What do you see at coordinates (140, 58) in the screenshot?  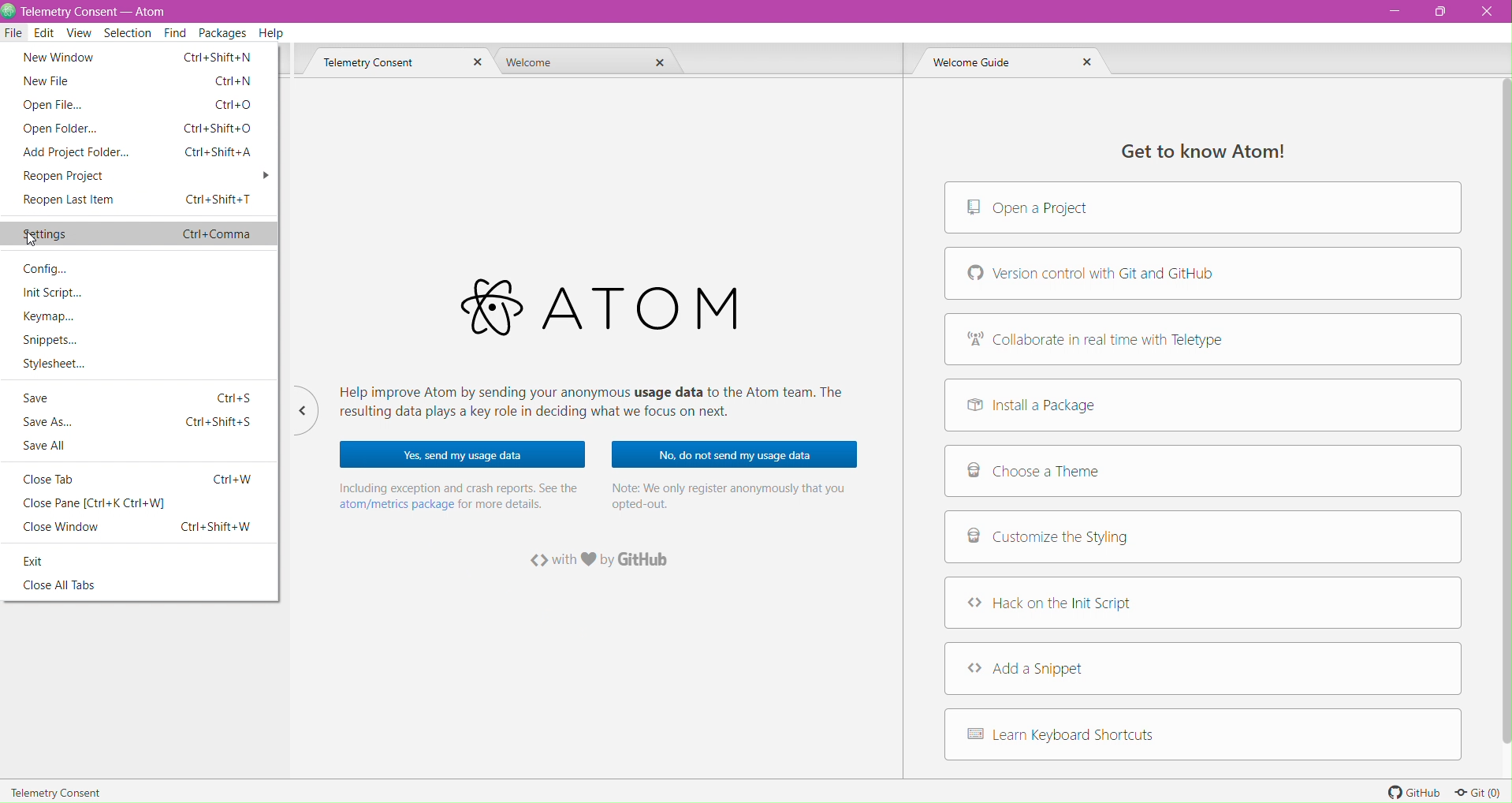 I see `New Window` at bounding box center [140, 58].